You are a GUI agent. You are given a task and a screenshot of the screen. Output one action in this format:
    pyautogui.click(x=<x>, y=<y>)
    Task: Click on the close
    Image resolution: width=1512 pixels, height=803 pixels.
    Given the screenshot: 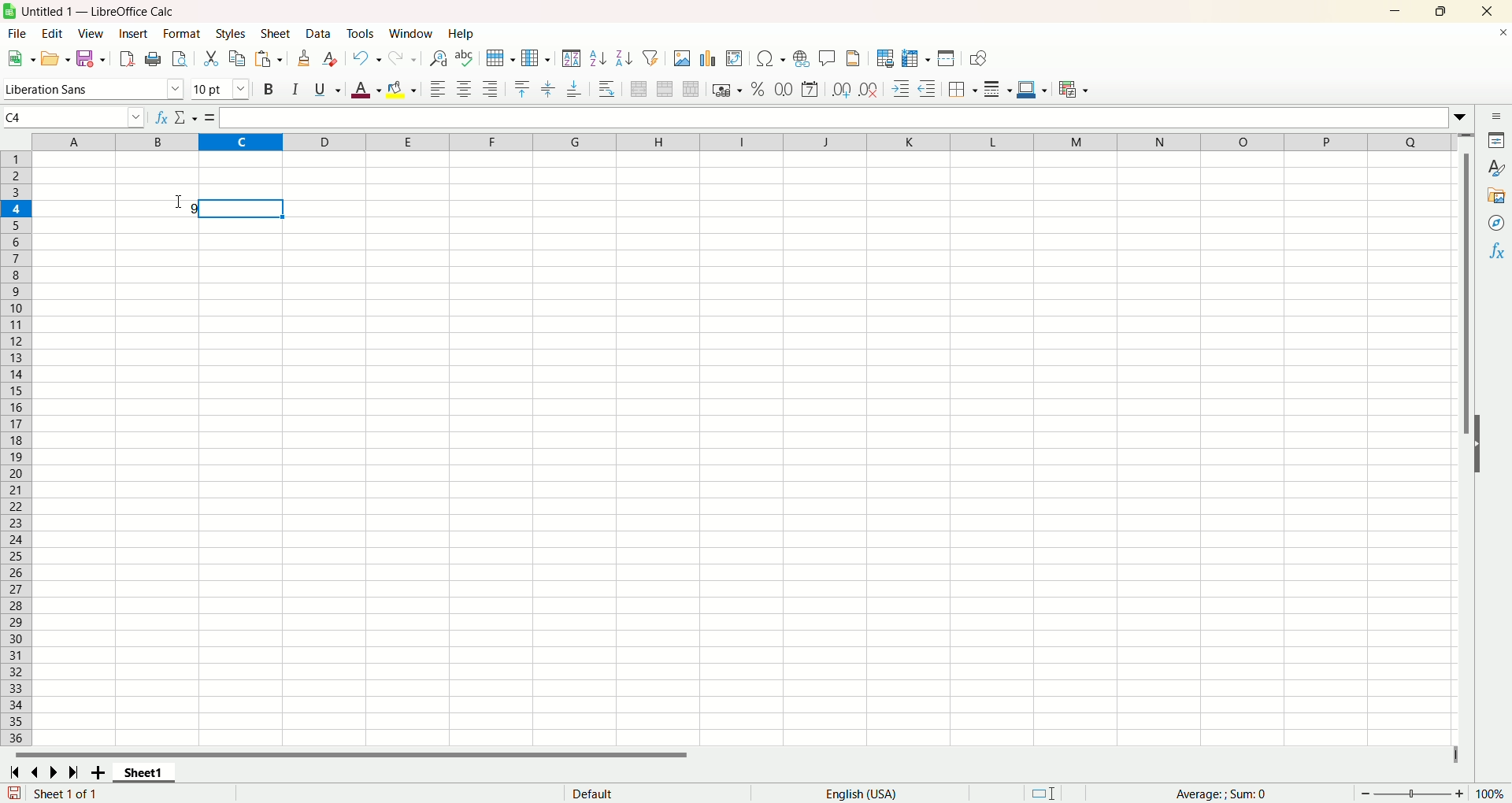 What is the action you would take?
    pyautogui.click(x=1488, y=12)
    